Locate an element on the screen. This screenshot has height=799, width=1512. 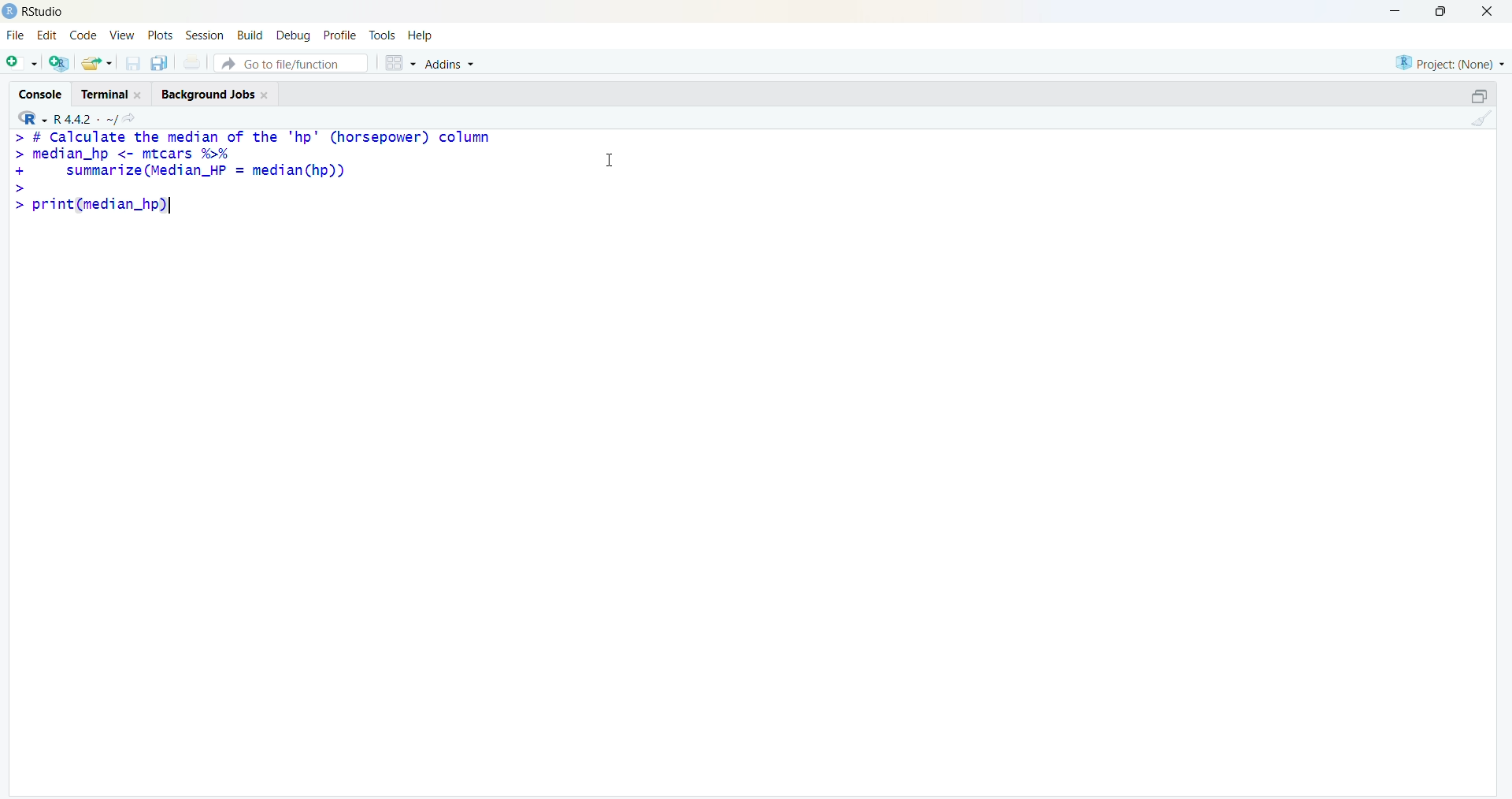
plots is located at coordinates (160, 35).